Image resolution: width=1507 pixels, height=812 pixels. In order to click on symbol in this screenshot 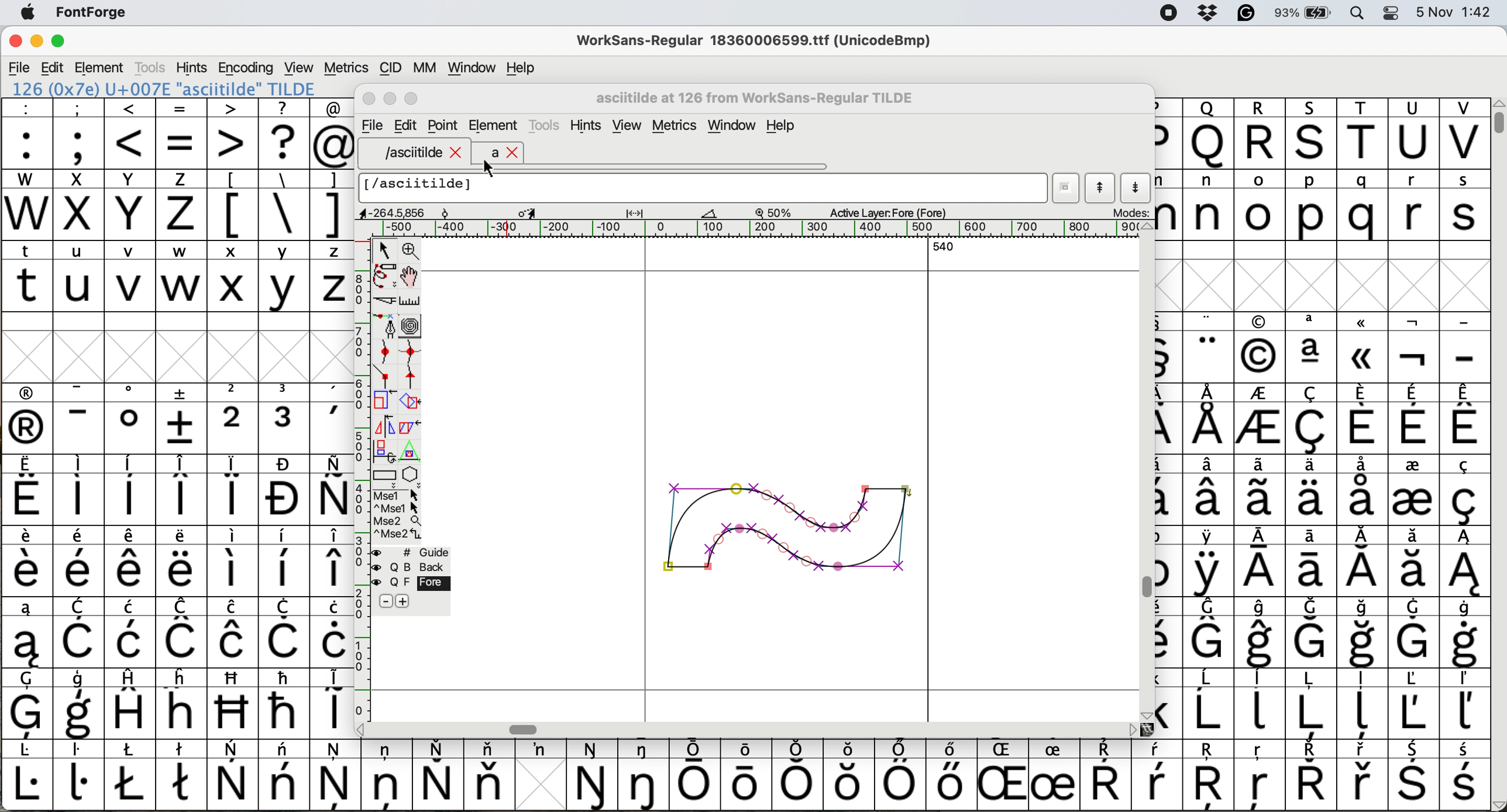, I will do `click(1262, 633)`.